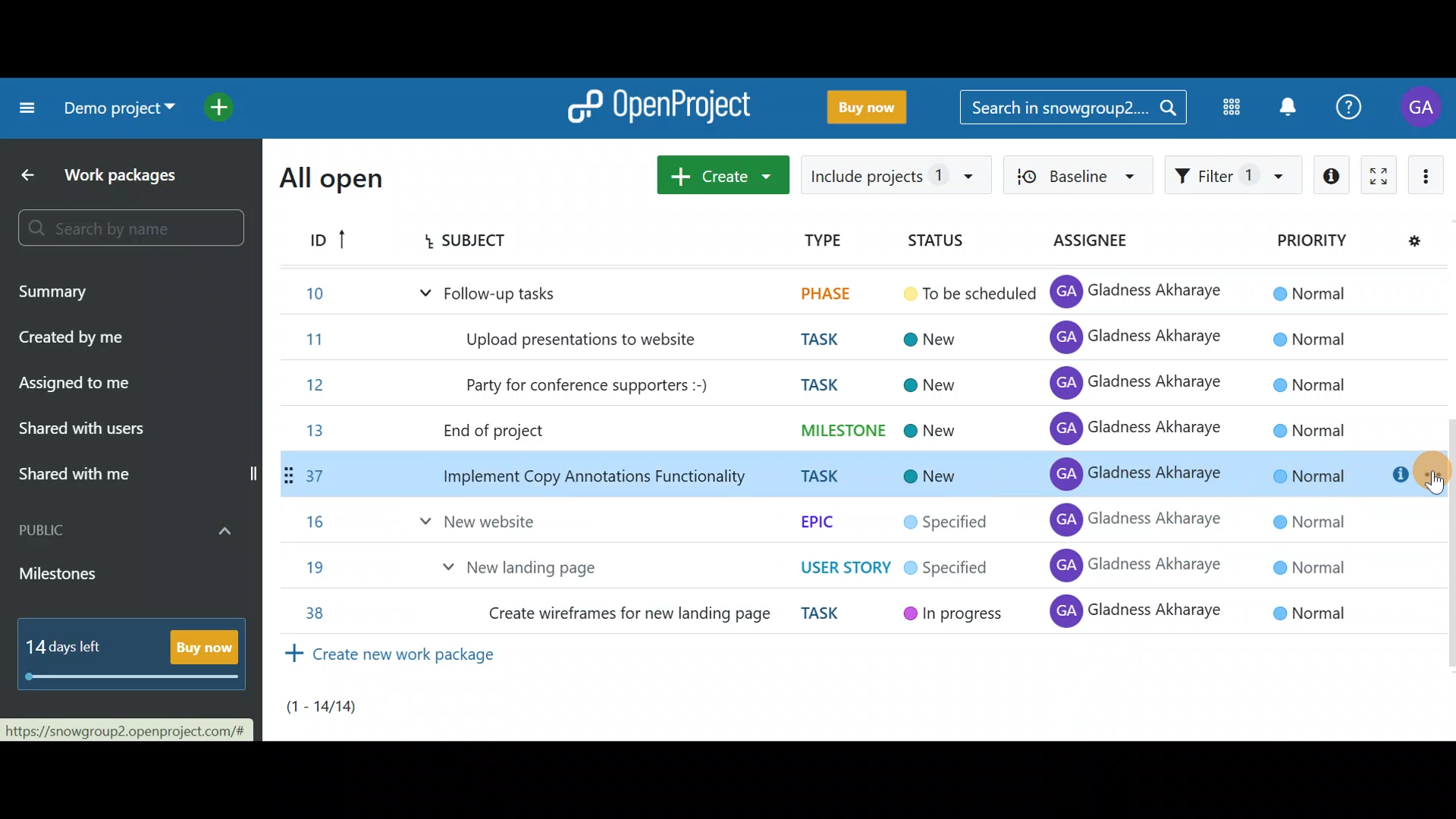 This screenshot has height=819, width=1456. I want to click on Open details view, so click(1409, 469).